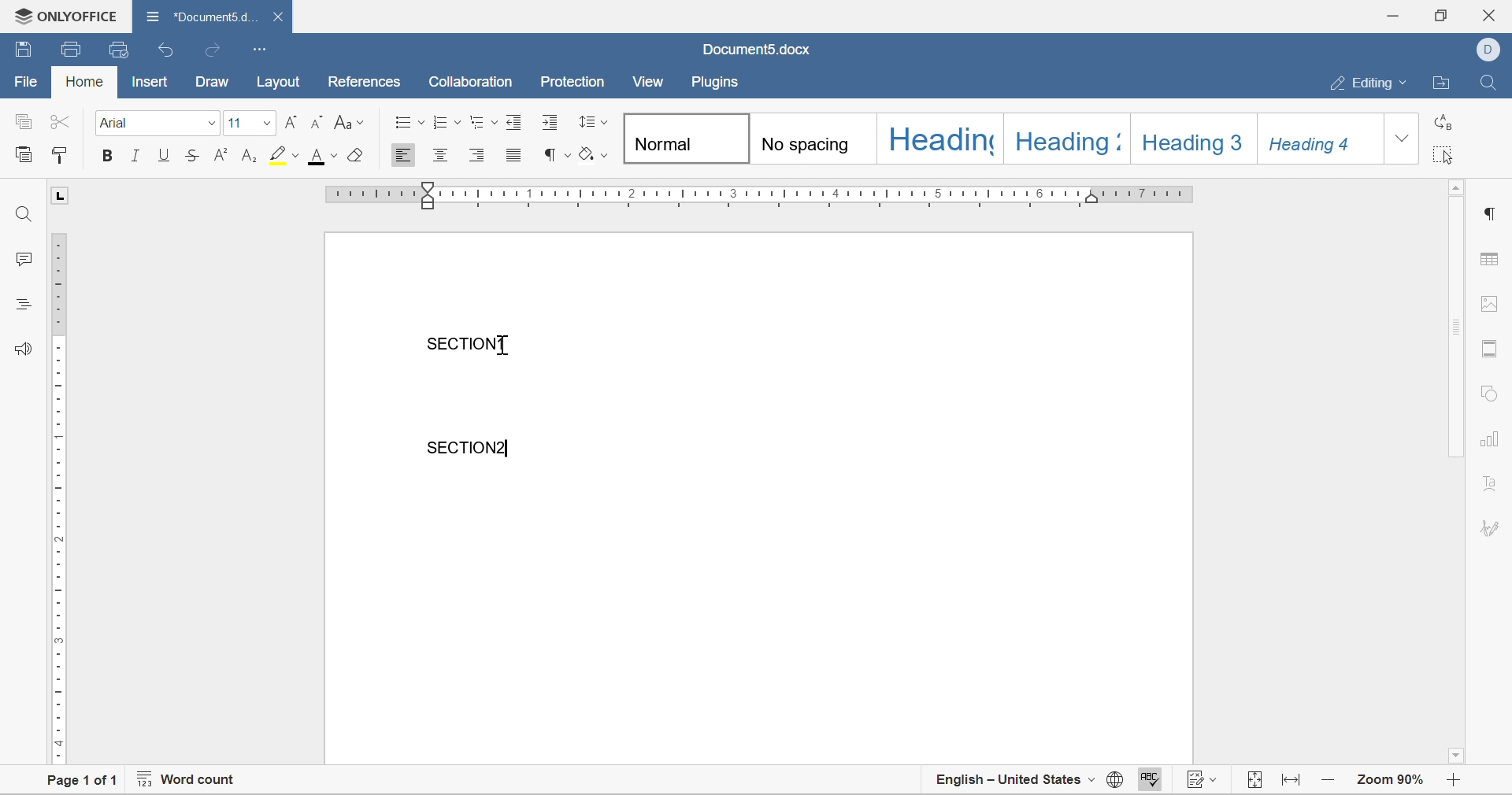 The width and height of the screenshot is (1512, 795). Describe the element at coordinates (359, 154) in the screenshot. I see `clear style` at that location.